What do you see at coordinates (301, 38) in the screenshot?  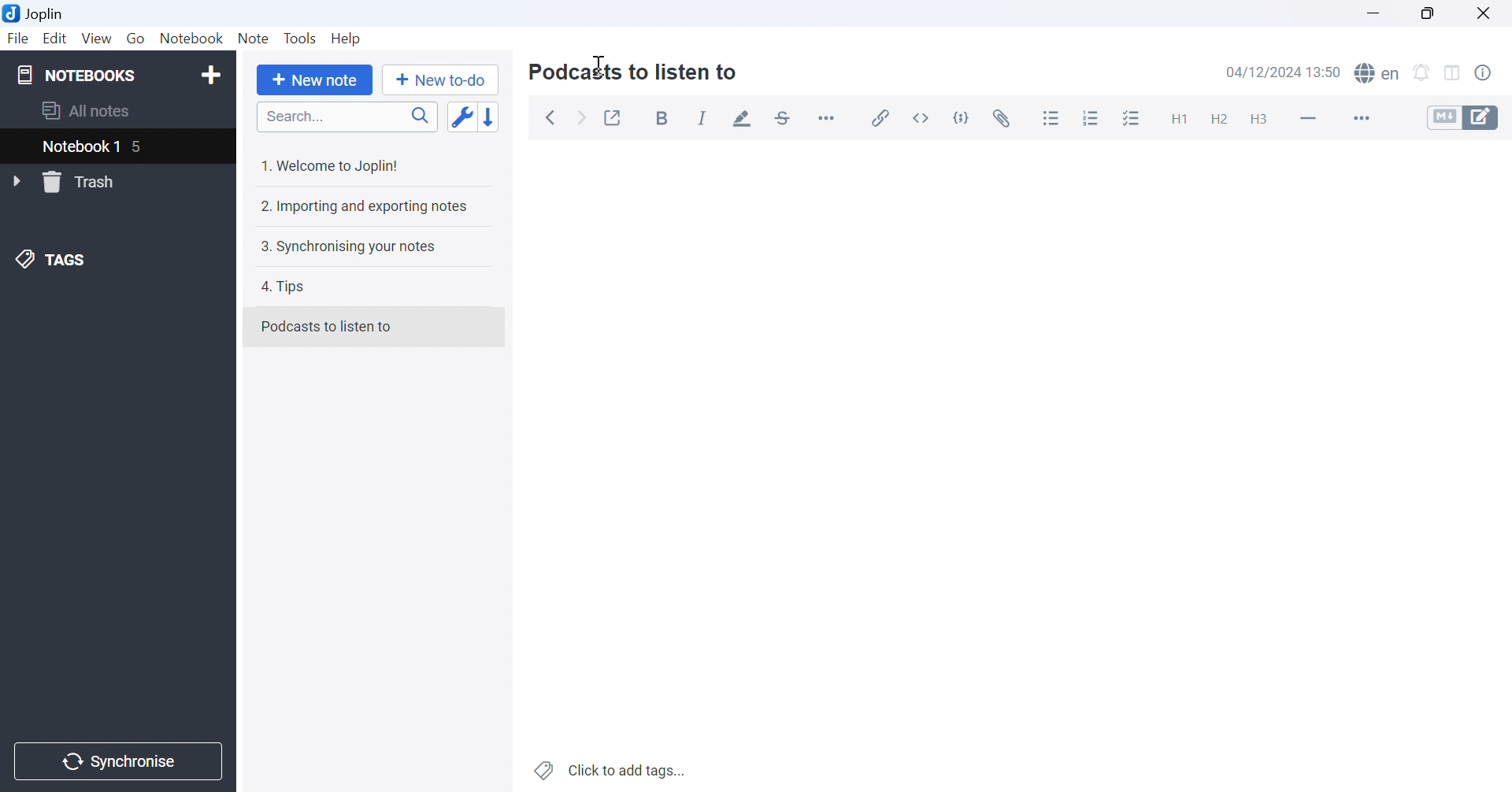 I see `Tools` at bounding box center [301, 38].